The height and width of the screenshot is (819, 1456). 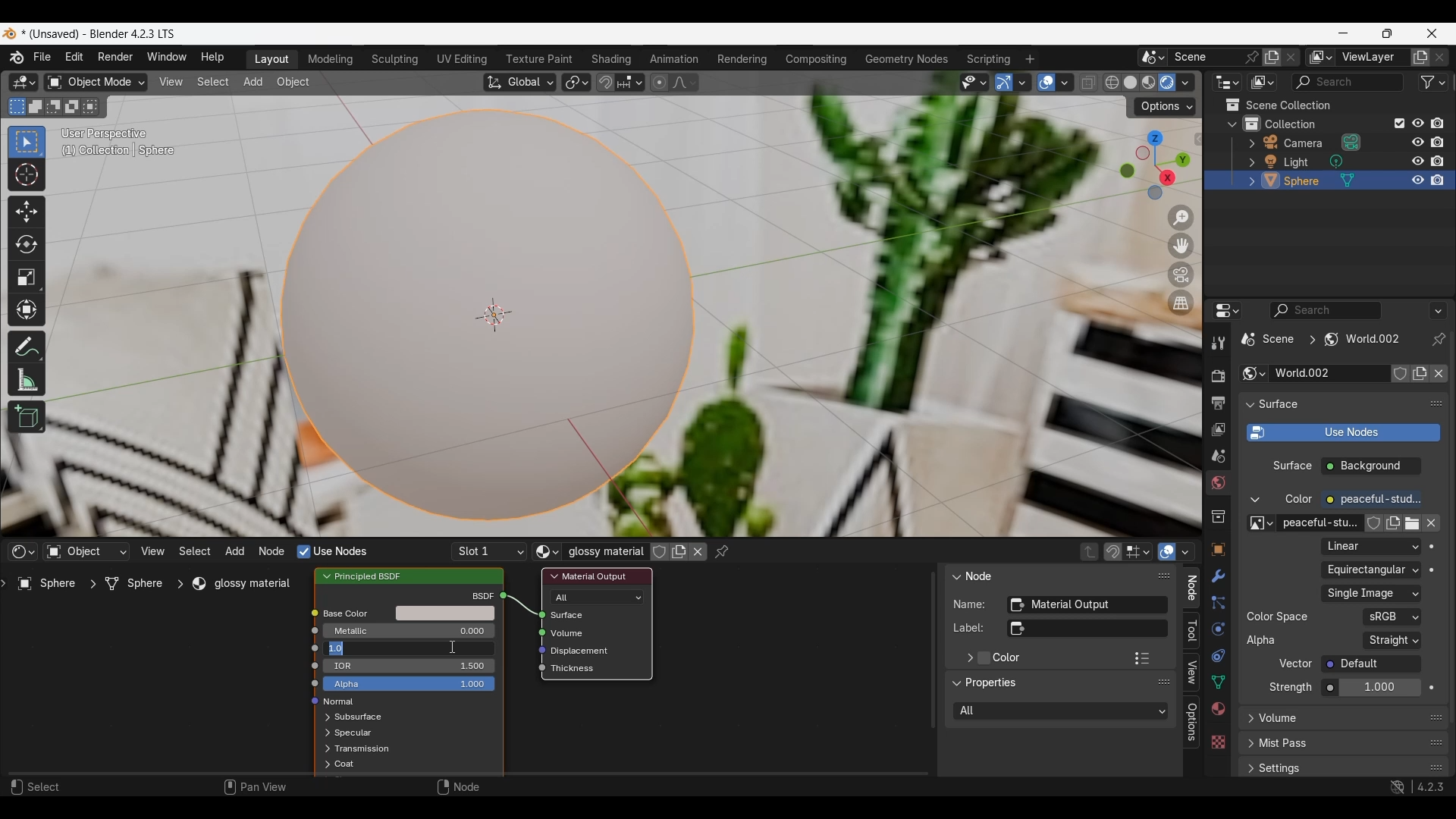 I want to click on peaceful-stu.., so click(x=1320, y=523).